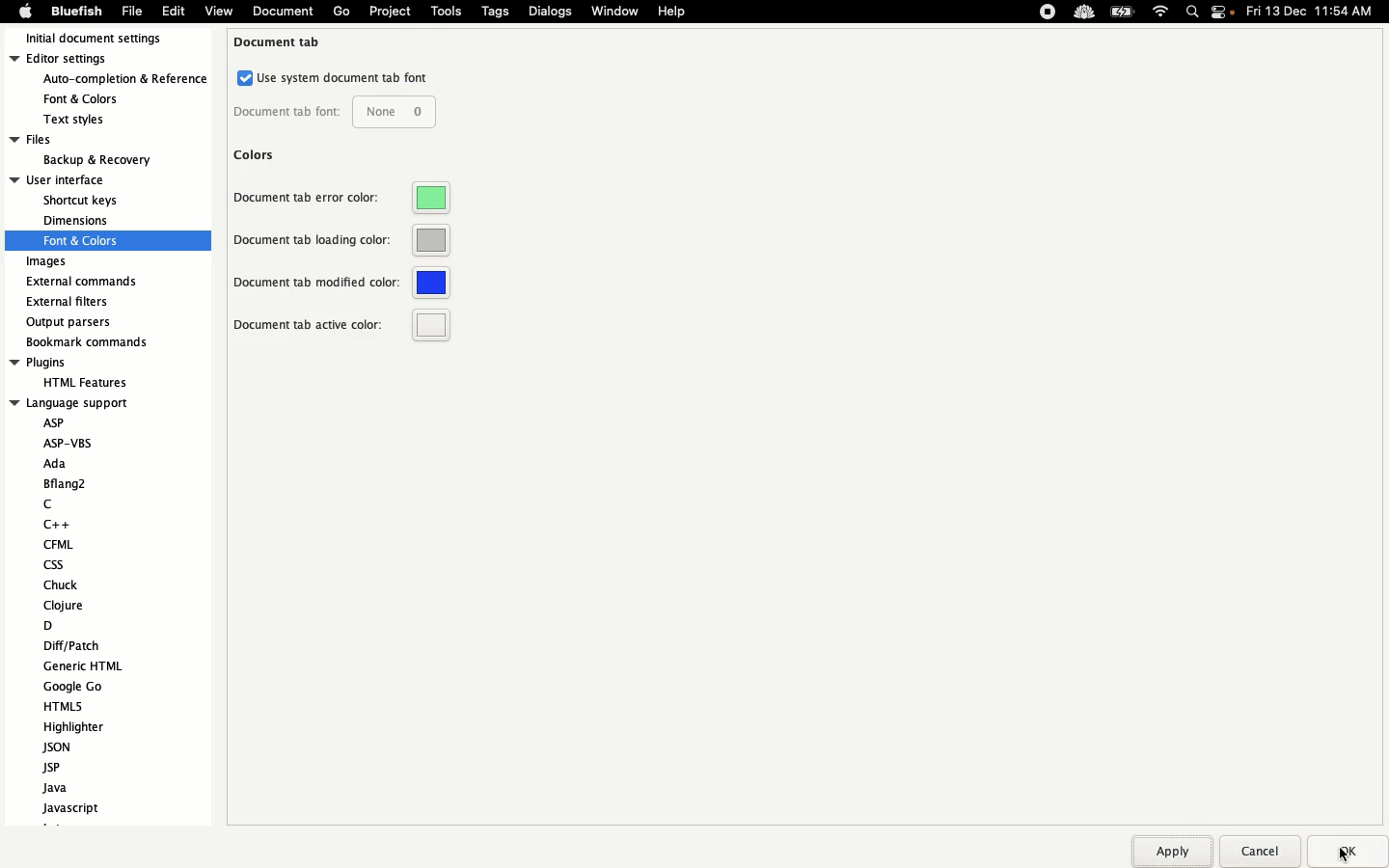 The width and height of the screenshot is (1389, 868). Describe the element at coordinates (1172, 852) in the screenshot. I see `Apply` at that location.